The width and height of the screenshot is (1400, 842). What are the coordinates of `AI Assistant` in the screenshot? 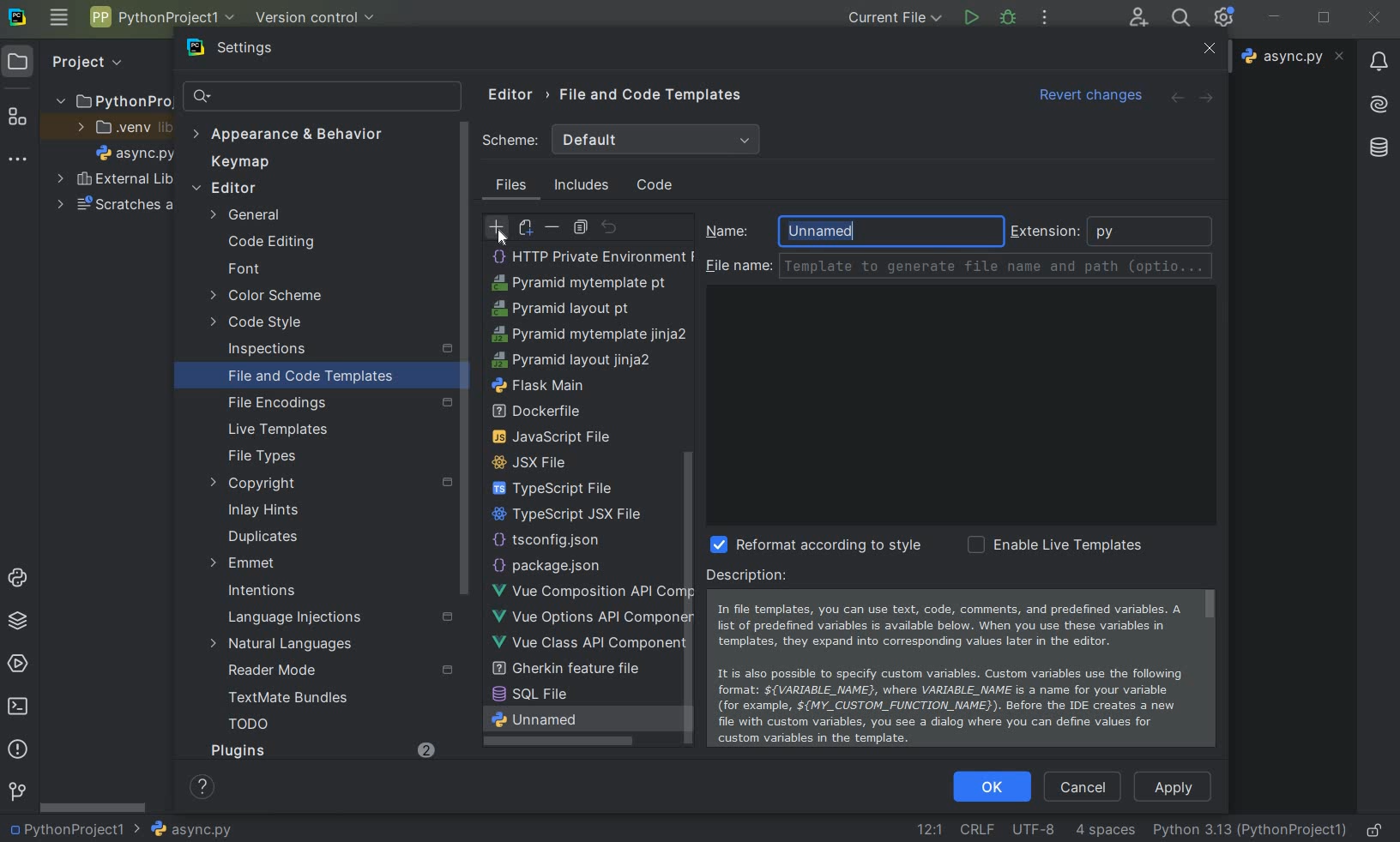 It's located at (1374, 101).